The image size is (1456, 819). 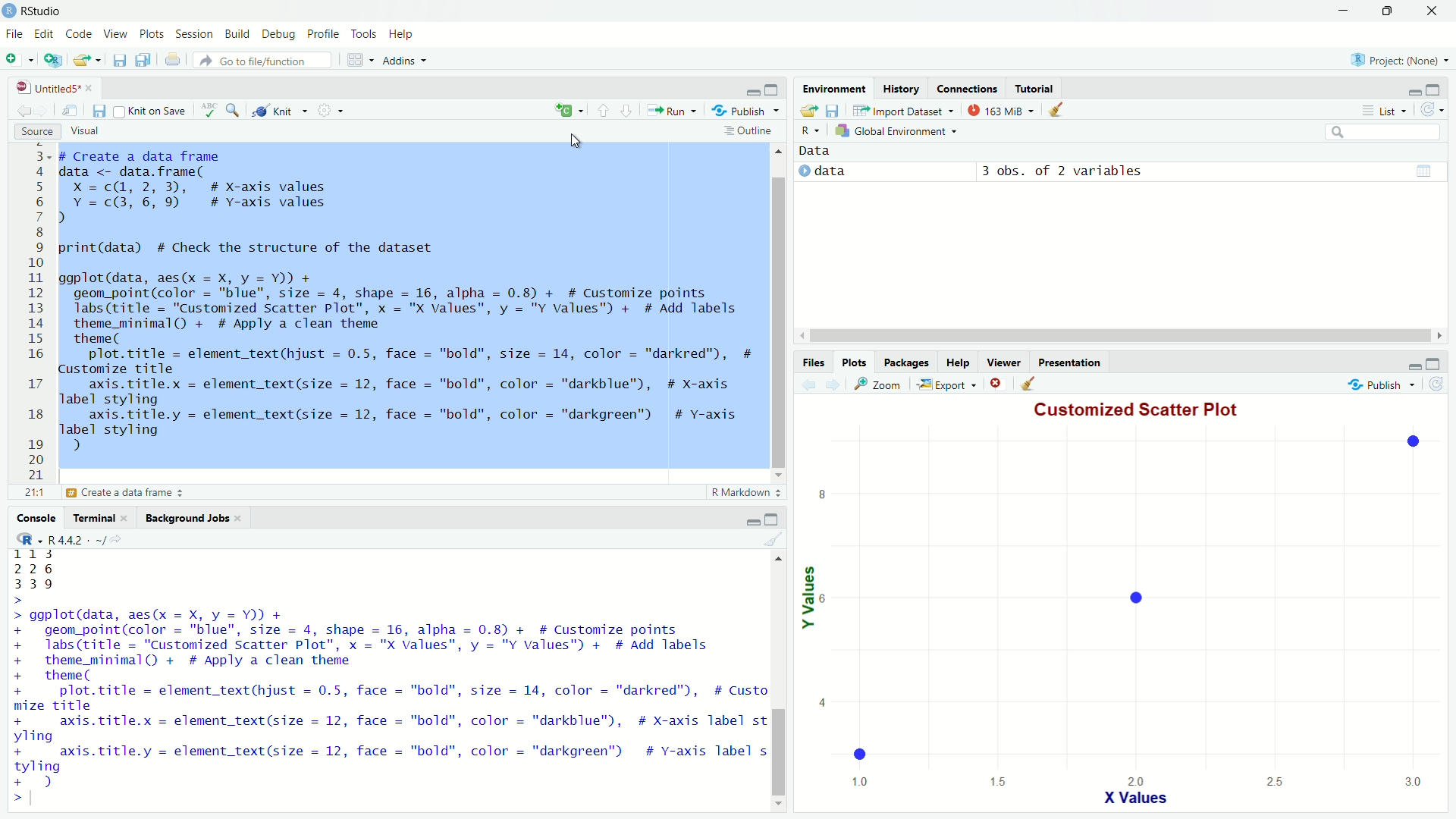 What do you see at coordinates (1125, 337) in the screenshot?
I see `Scrollbar` at bounding box center [1125, 337].